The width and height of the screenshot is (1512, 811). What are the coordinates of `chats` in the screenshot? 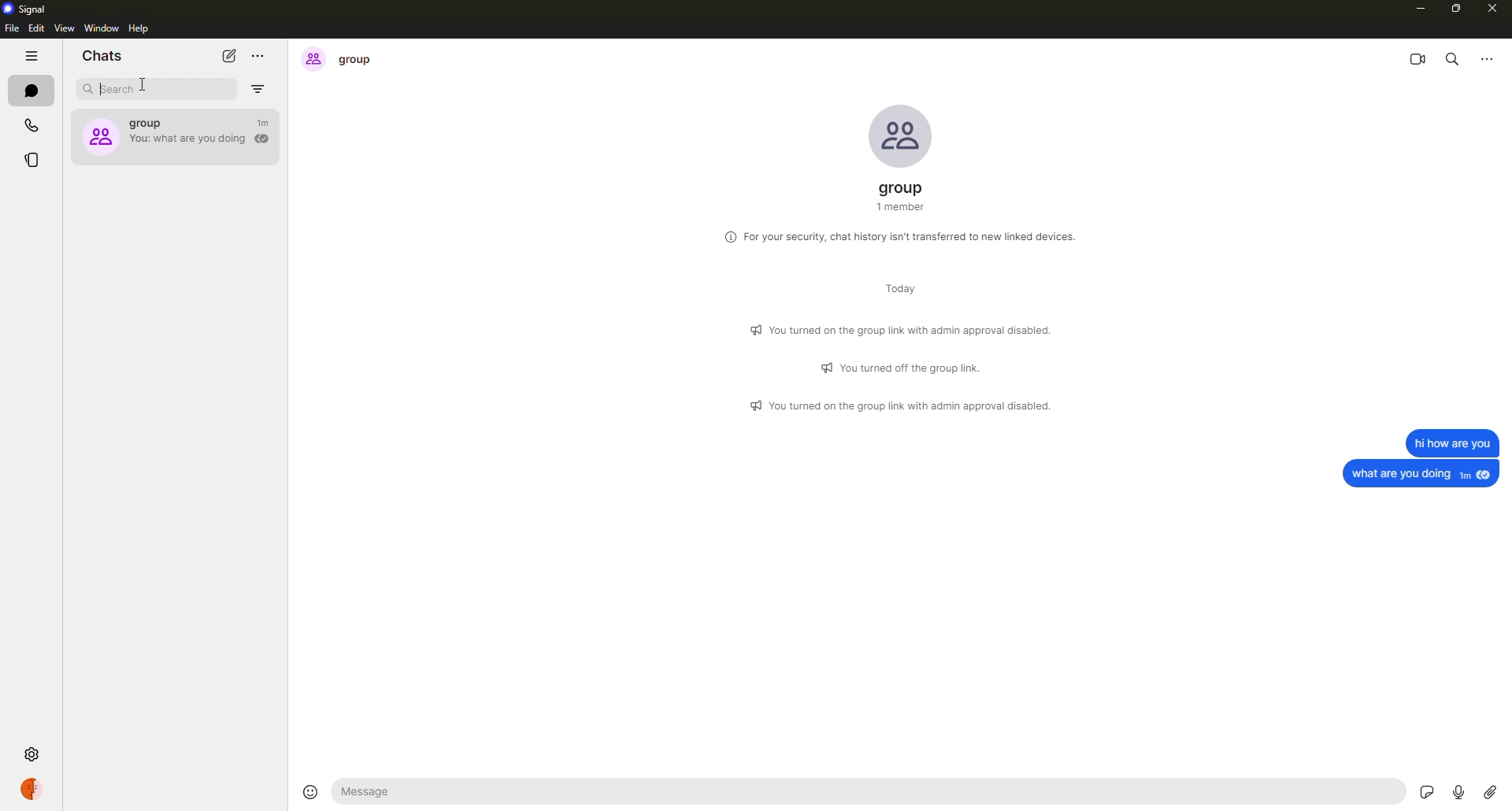 It's located at (101, 57).